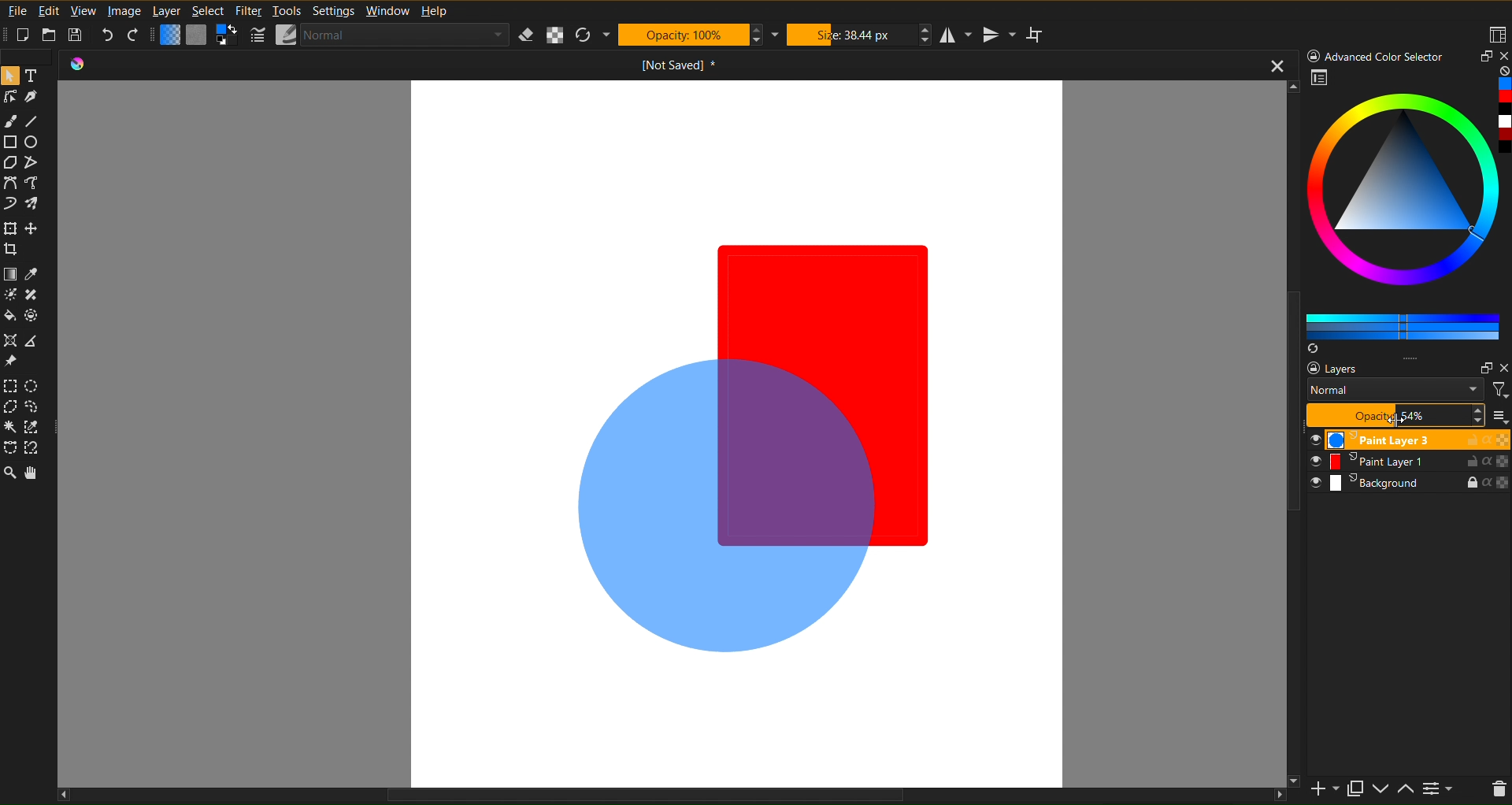 The height and width of the screenshot is (805, 1512). I want to click on Save, so click(76, 35).